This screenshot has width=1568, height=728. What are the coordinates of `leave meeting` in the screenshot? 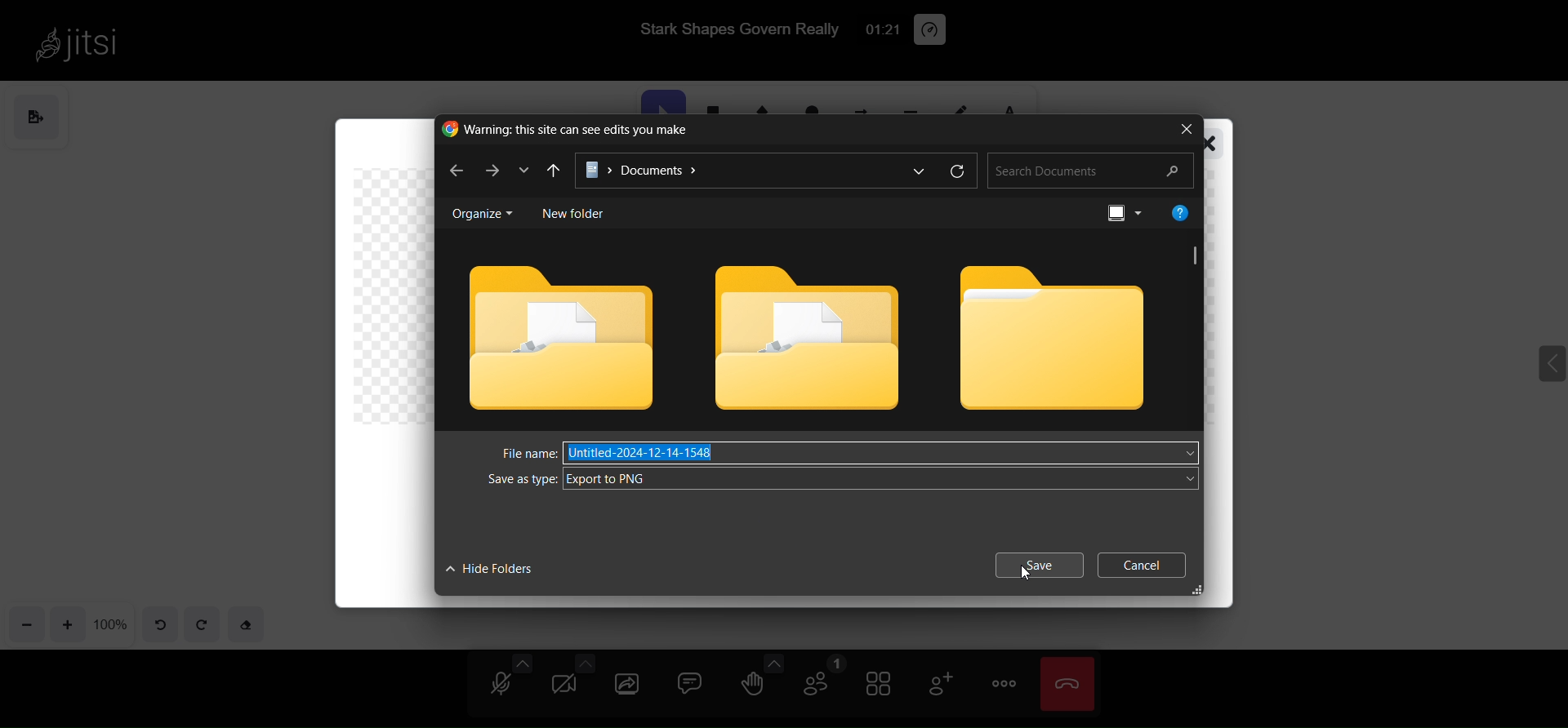 It's located at (1071, 684).